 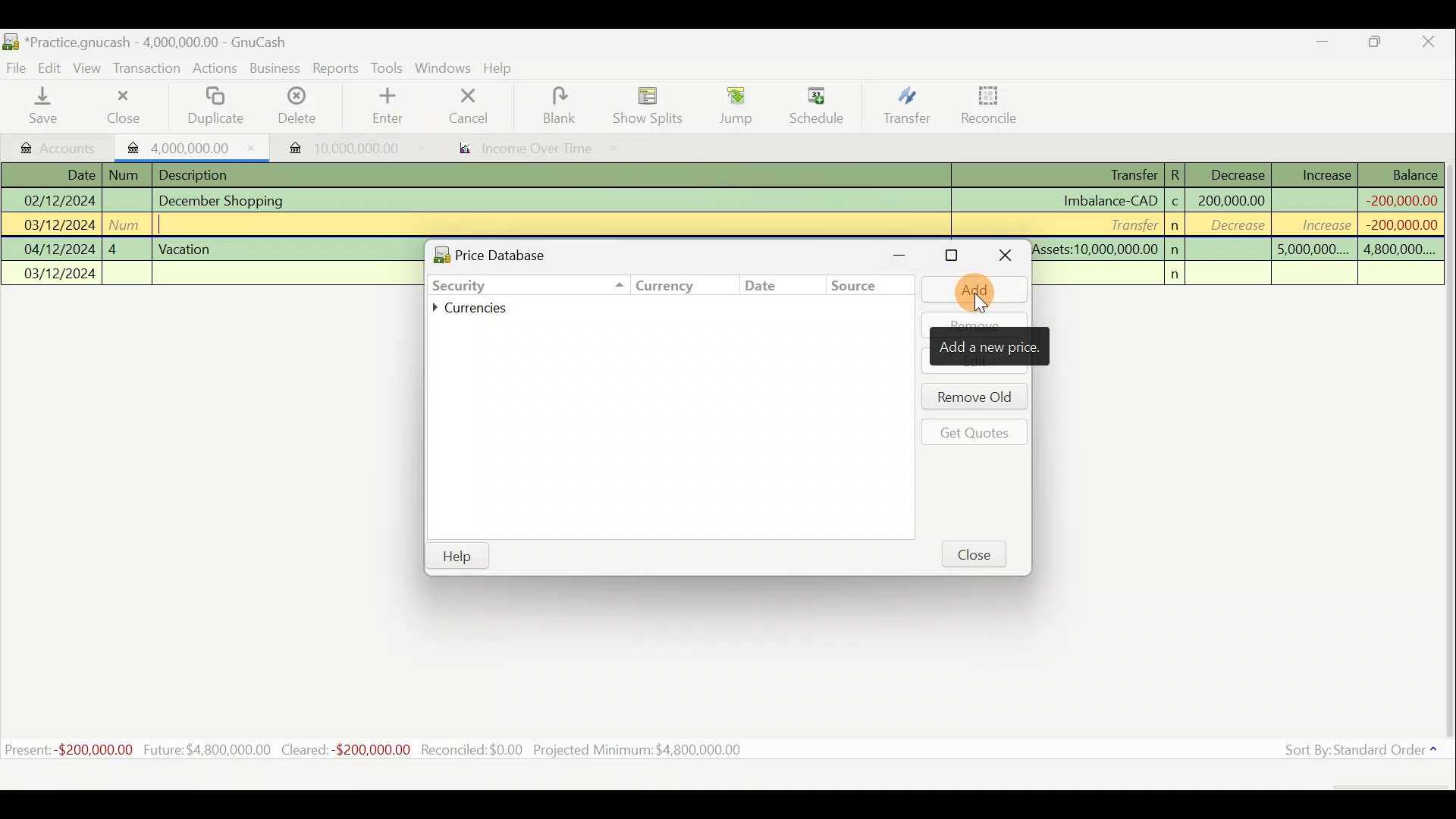 What do you see at coordinates (393, 107) in the screenshot?
I see `enter` at bounding box center [393, 107].